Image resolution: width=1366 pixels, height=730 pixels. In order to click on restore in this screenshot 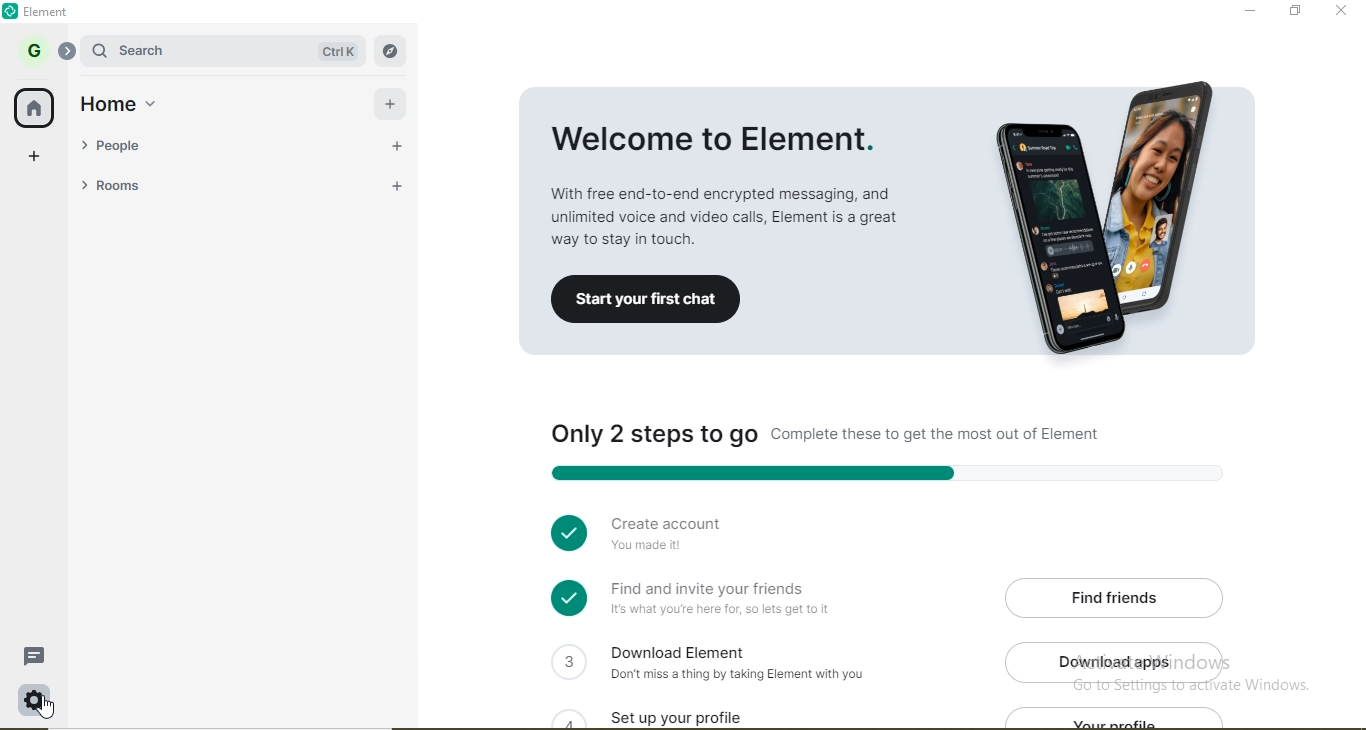, I will do `click(1294, 10)`.